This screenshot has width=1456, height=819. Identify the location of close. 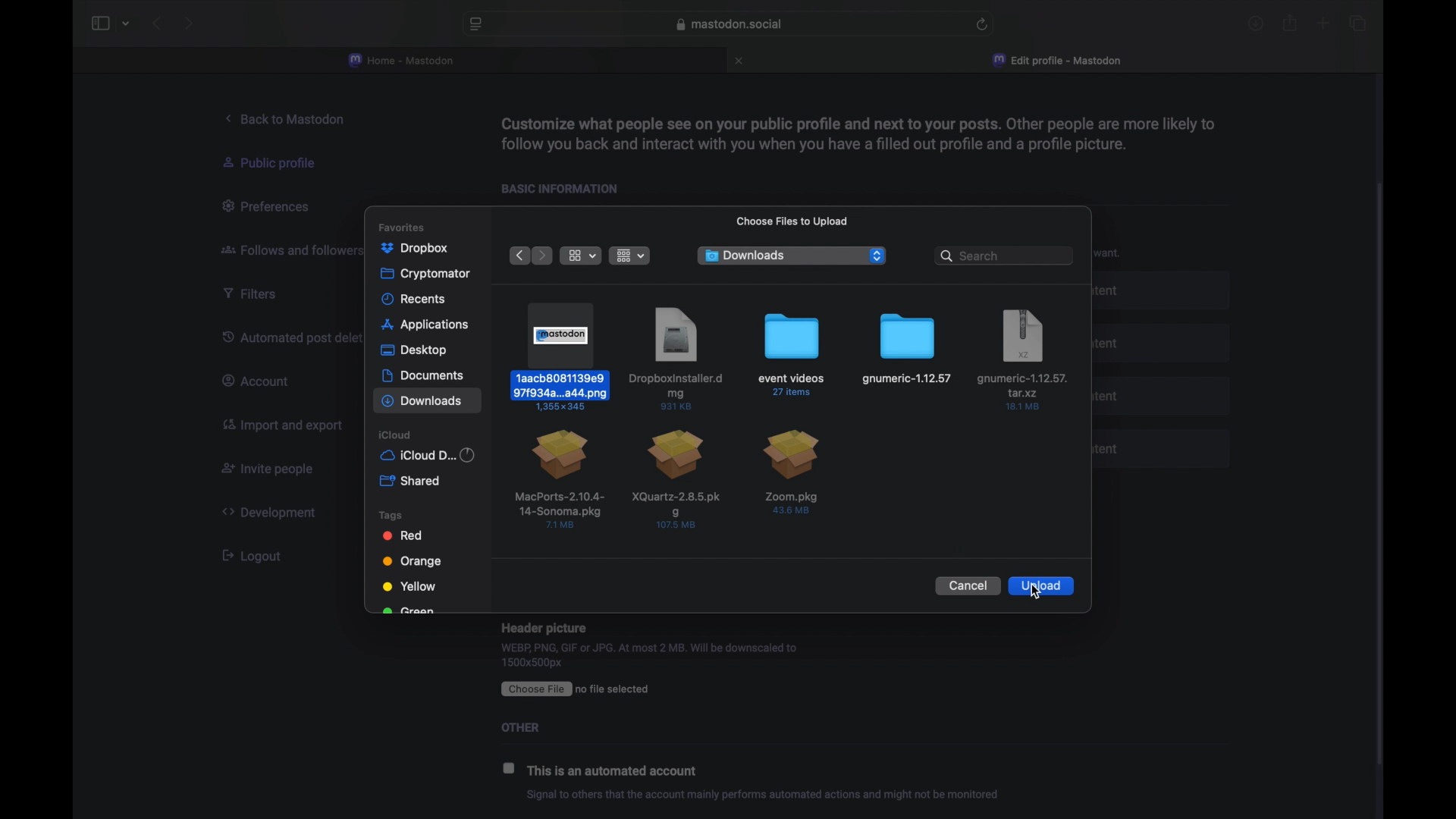
(741, 61).